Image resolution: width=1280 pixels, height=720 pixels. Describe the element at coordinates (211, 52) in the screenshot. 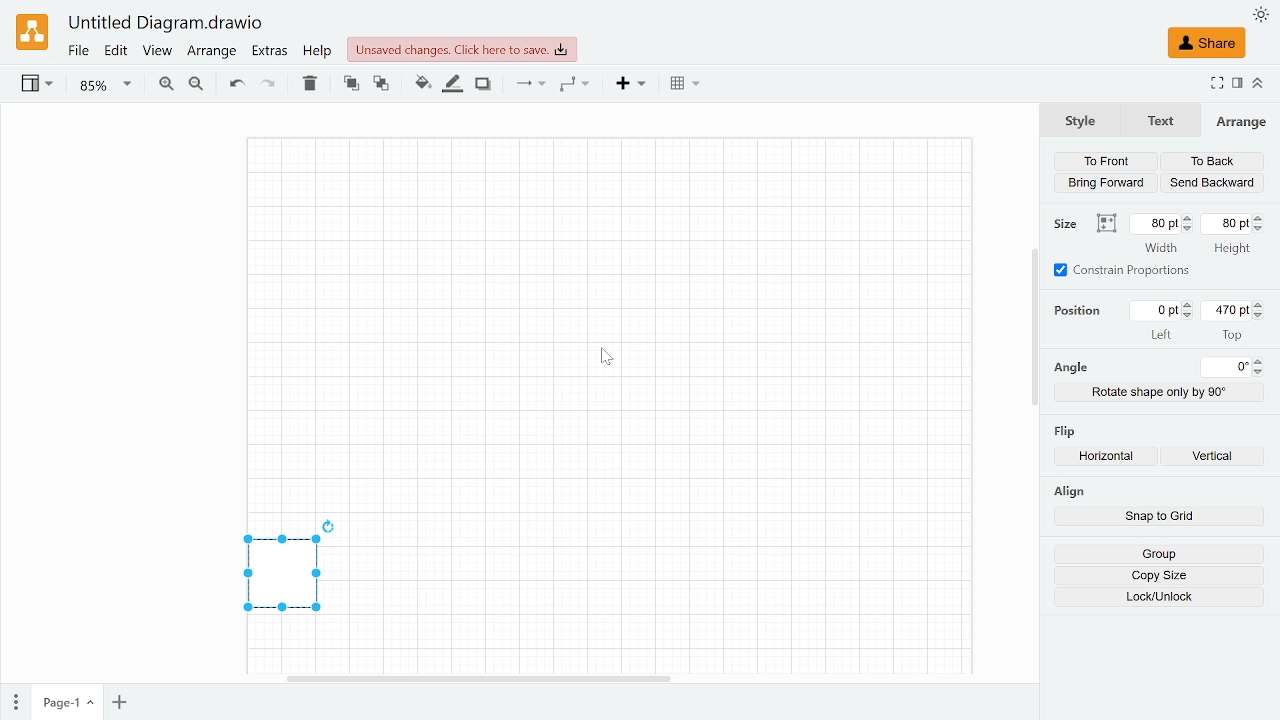

I see `Arrange` at that location.